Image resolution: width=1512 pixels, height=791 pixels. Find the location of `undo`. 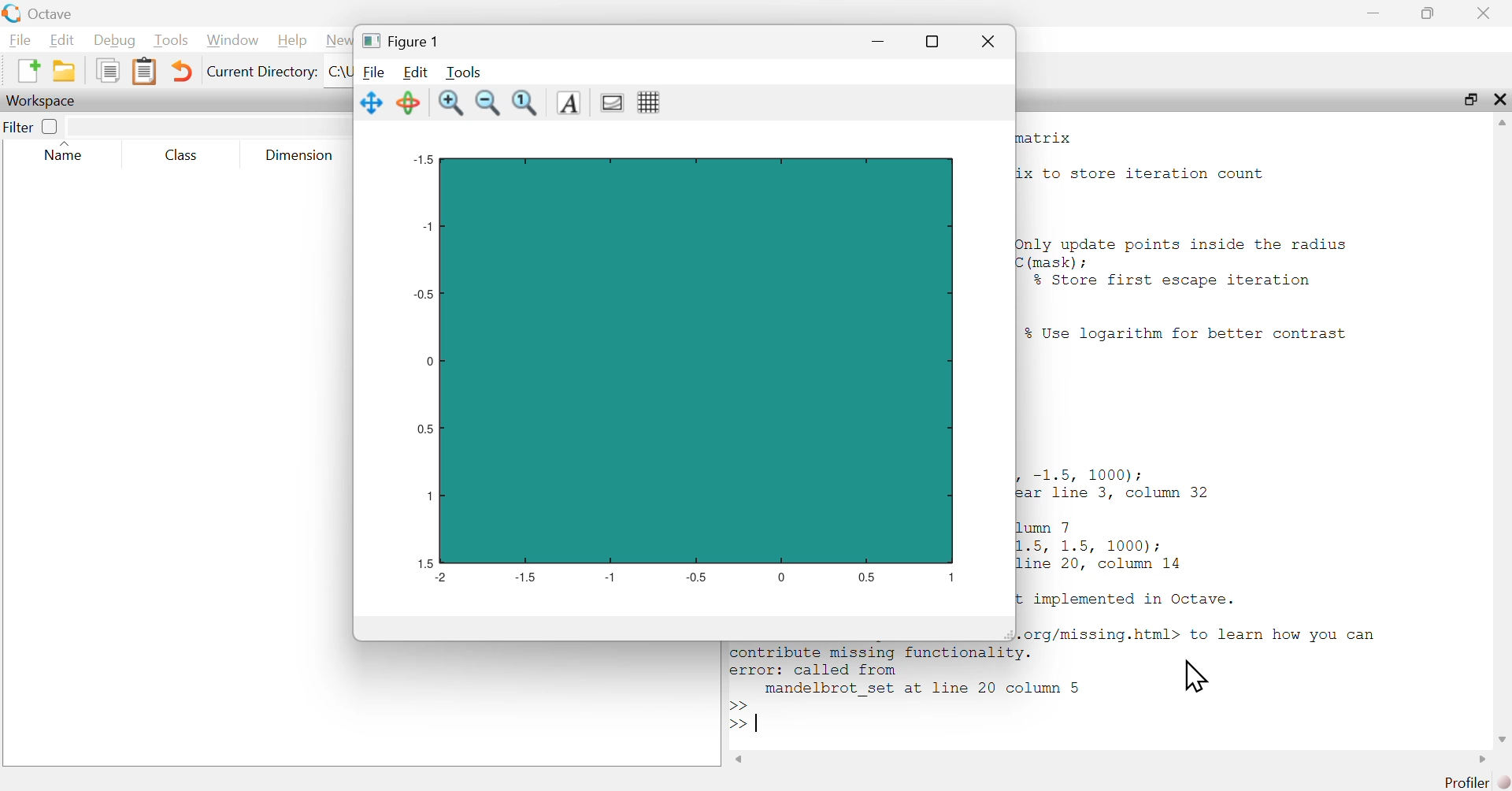

undo is located at coordinates (182, 70).